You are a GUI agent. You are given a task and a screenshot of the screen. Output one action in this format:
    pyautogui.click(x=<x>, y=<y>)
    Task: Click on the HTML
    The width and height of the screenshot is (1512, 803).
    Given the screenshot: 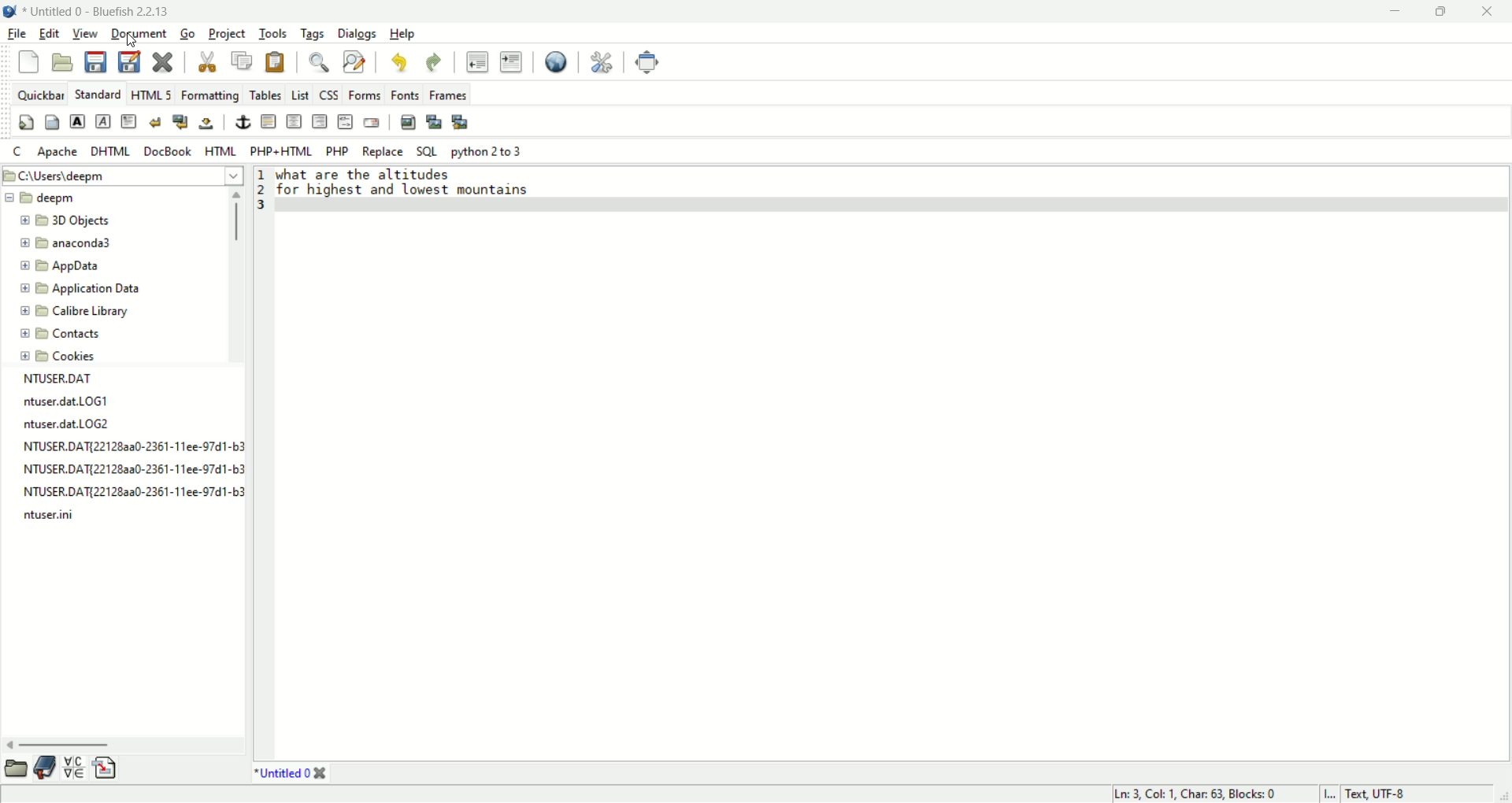 What is the action you would take?
    pyautogui.click(x=222, y=150)
    